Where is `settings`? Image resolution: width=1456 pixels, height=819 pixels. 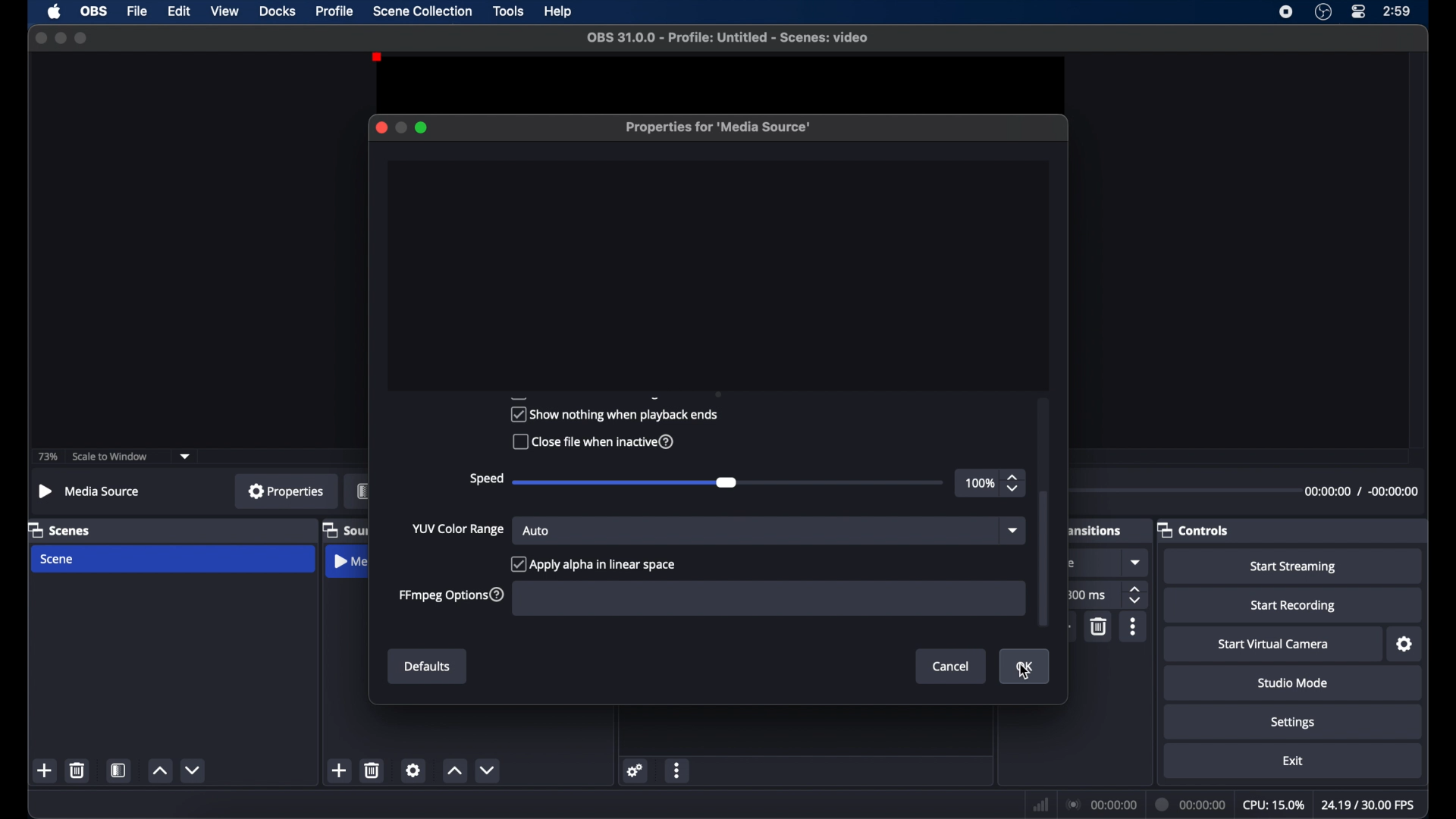
settings is located at coordinates (1293, 723).